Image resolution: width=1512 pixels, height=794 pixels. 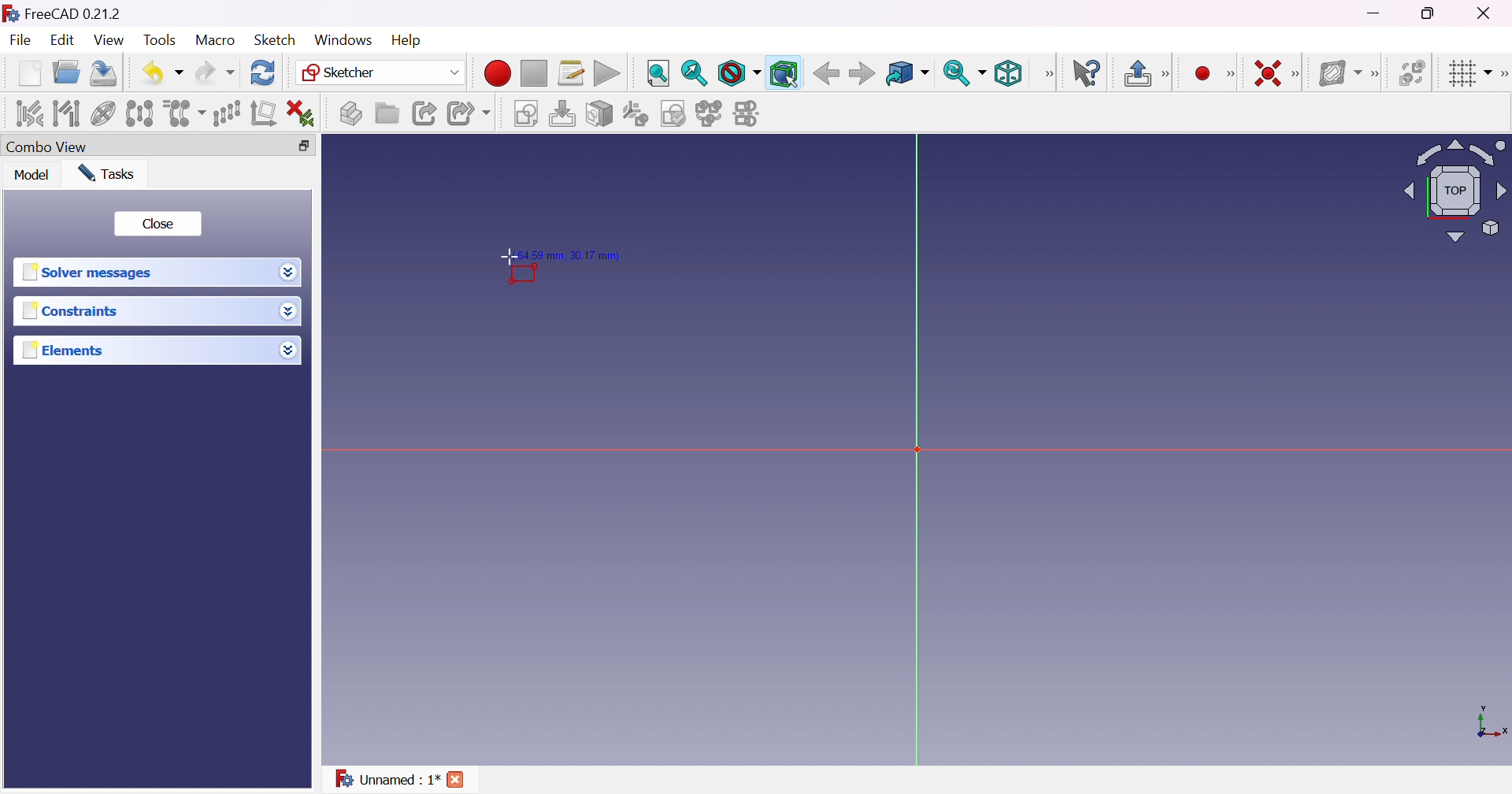 What do you see at coordinates (91, 273) in the screenshot?
I see `Solver message` at bounding box center [91, 273].